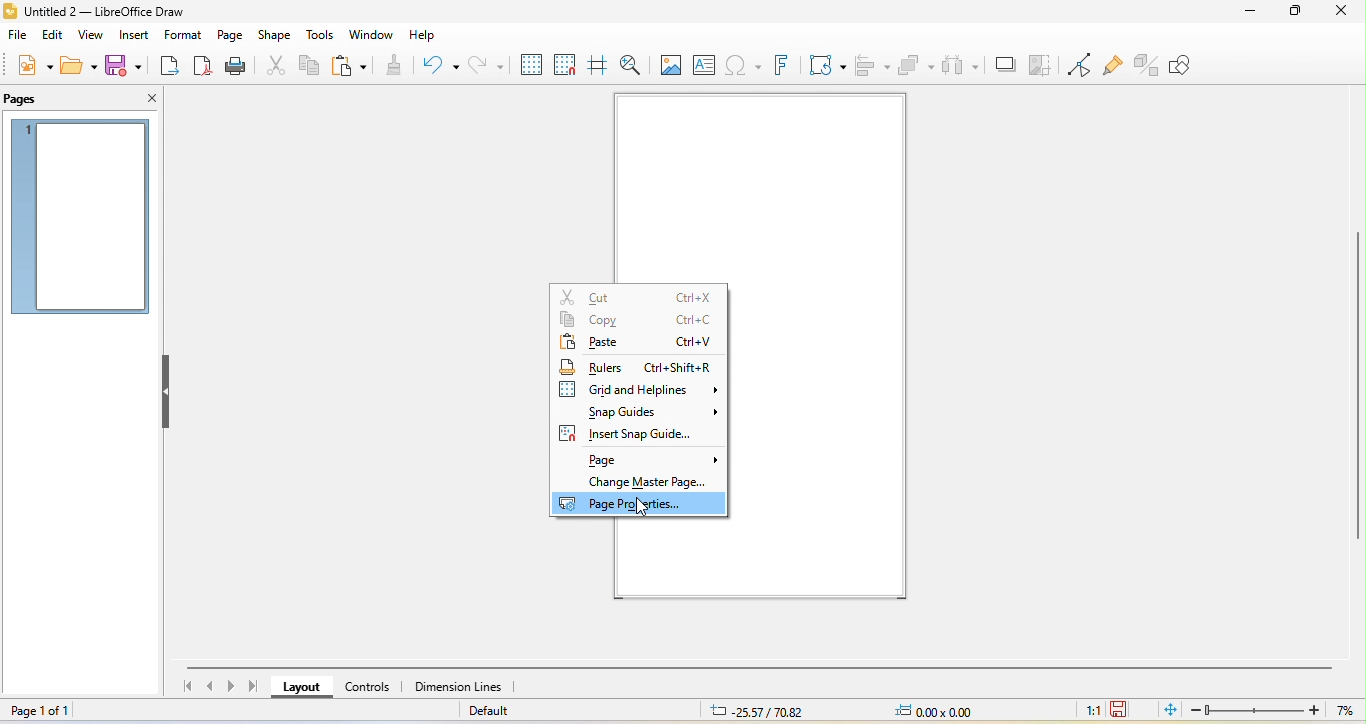 The height and width of the screenshot is (724, 1366). Describe the element at coordinates (1294, 12) in the screenshot. I see `maximize` at that location.